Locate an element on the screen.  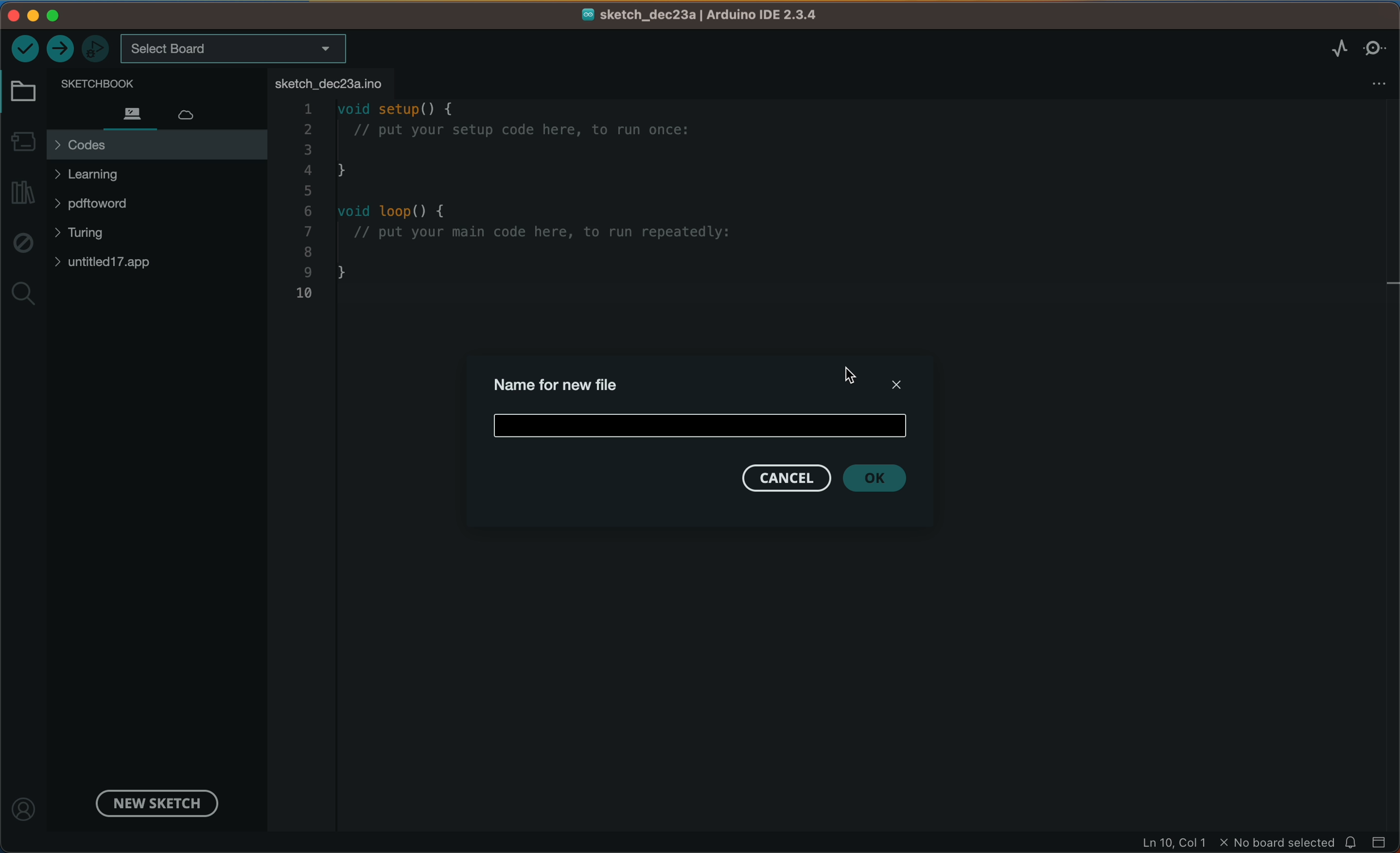
cloud is located at coordinates (197, 111).